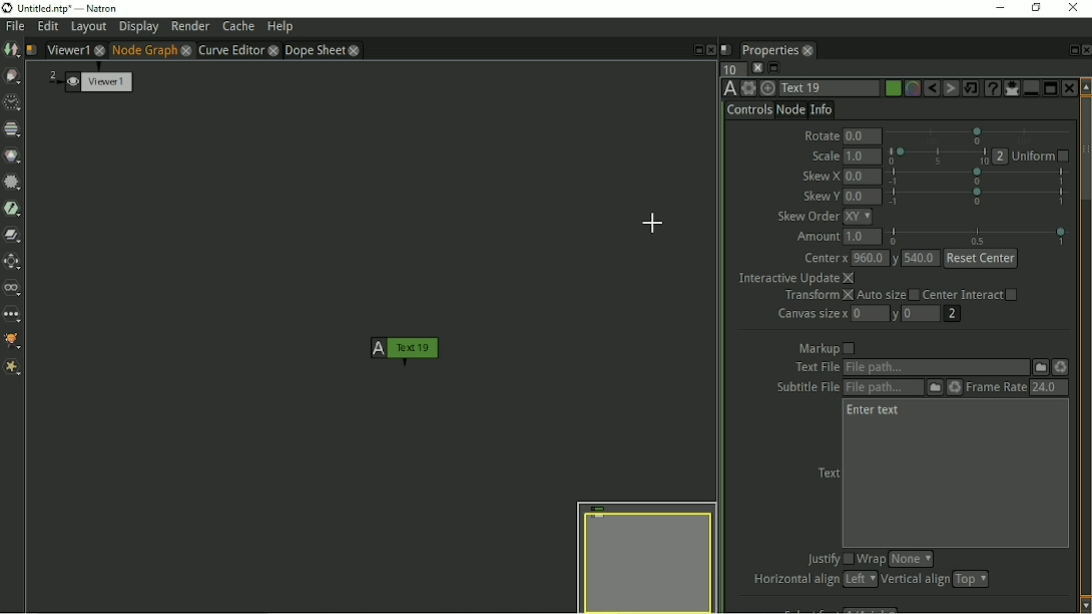  I want to click on Cache, so click(238, 26).